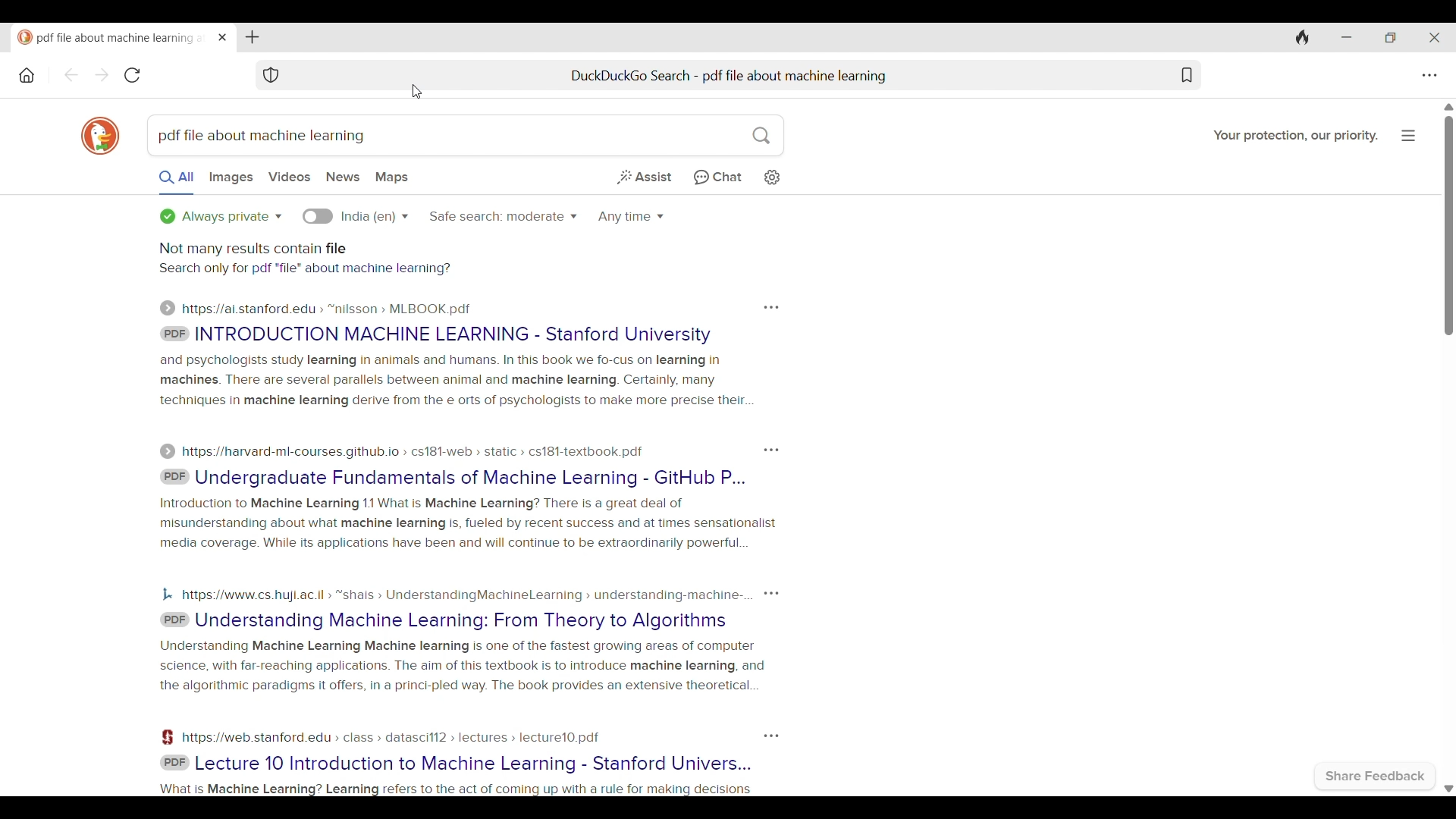 Image resolution: width=1456 pixels, height=819 pixels. Describe the element at coordinates (168, 308) in the screenshot. I see `Indication symbol` at that location.